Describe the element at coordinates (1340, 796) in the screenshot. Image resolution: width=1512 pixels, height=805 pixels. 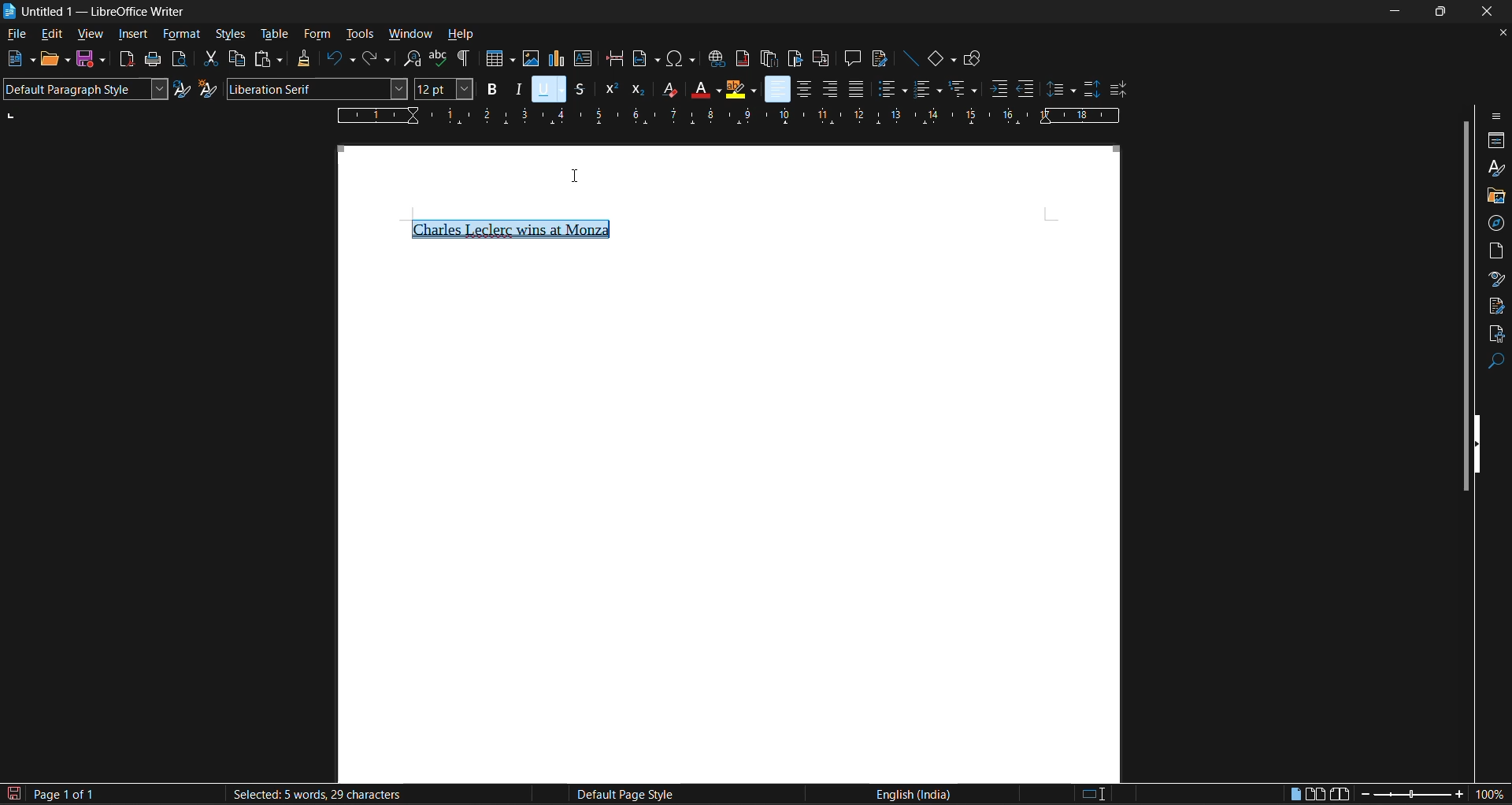
I see `book view` at that location.